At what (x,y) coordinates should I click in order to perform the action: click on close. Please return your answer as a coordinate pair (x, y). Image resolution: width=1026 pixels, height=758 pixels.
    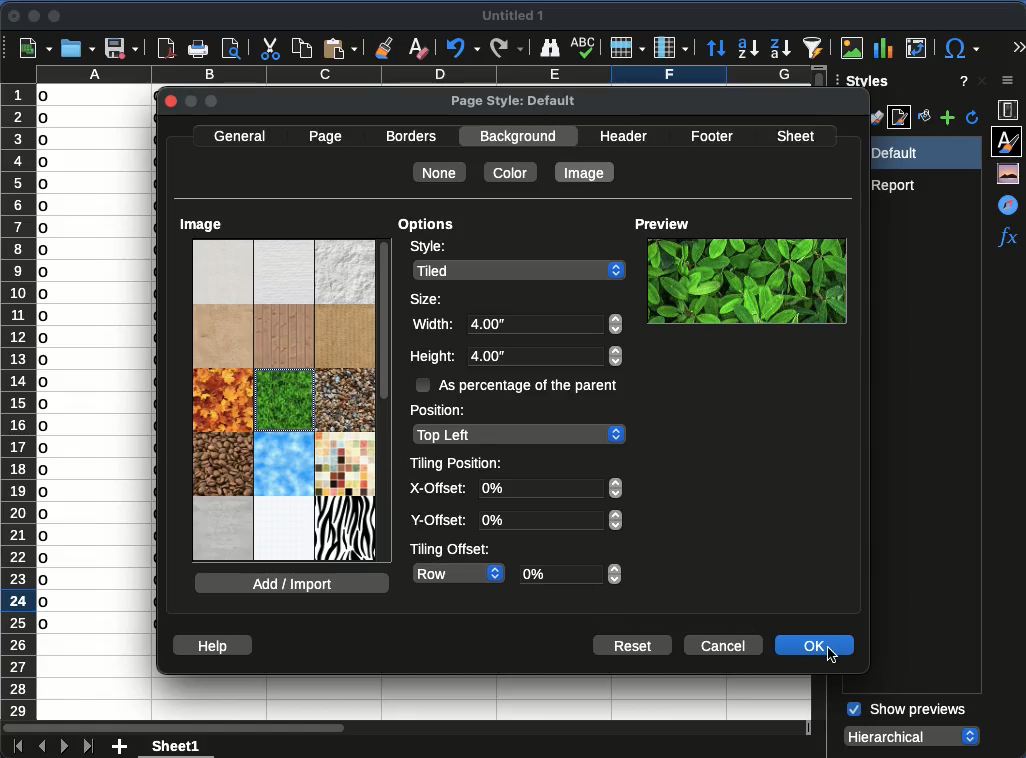
    Looking at the image, I should click on (13, 16).